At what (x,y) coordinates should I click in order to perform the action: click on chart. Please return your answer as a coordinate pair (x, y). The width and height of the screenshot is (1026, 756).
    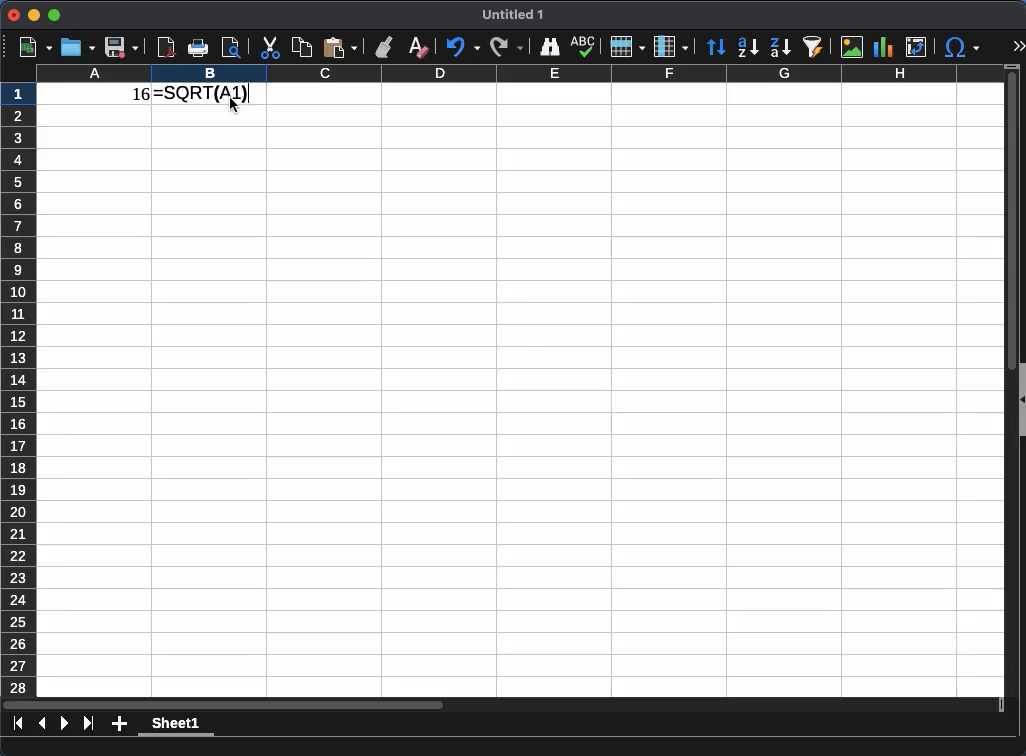
    Looking at the image, I should click on (884, 48).